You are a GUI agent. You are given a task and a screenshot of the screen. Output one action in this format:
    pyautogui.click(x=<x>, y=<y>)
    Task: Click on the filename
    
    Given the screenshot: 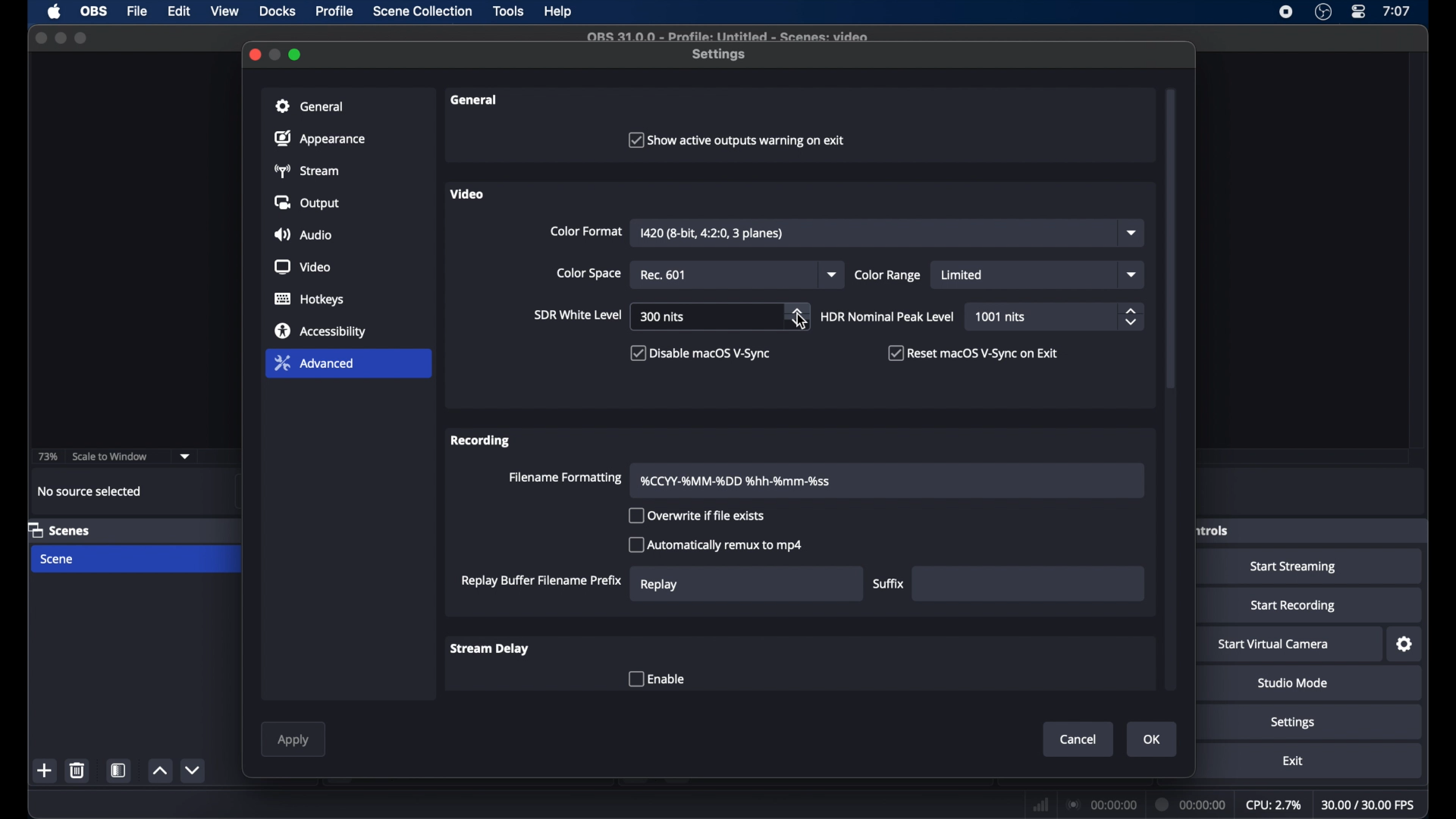 What is the action you would take?
    pyautogui.click(x=741, y=482)
    